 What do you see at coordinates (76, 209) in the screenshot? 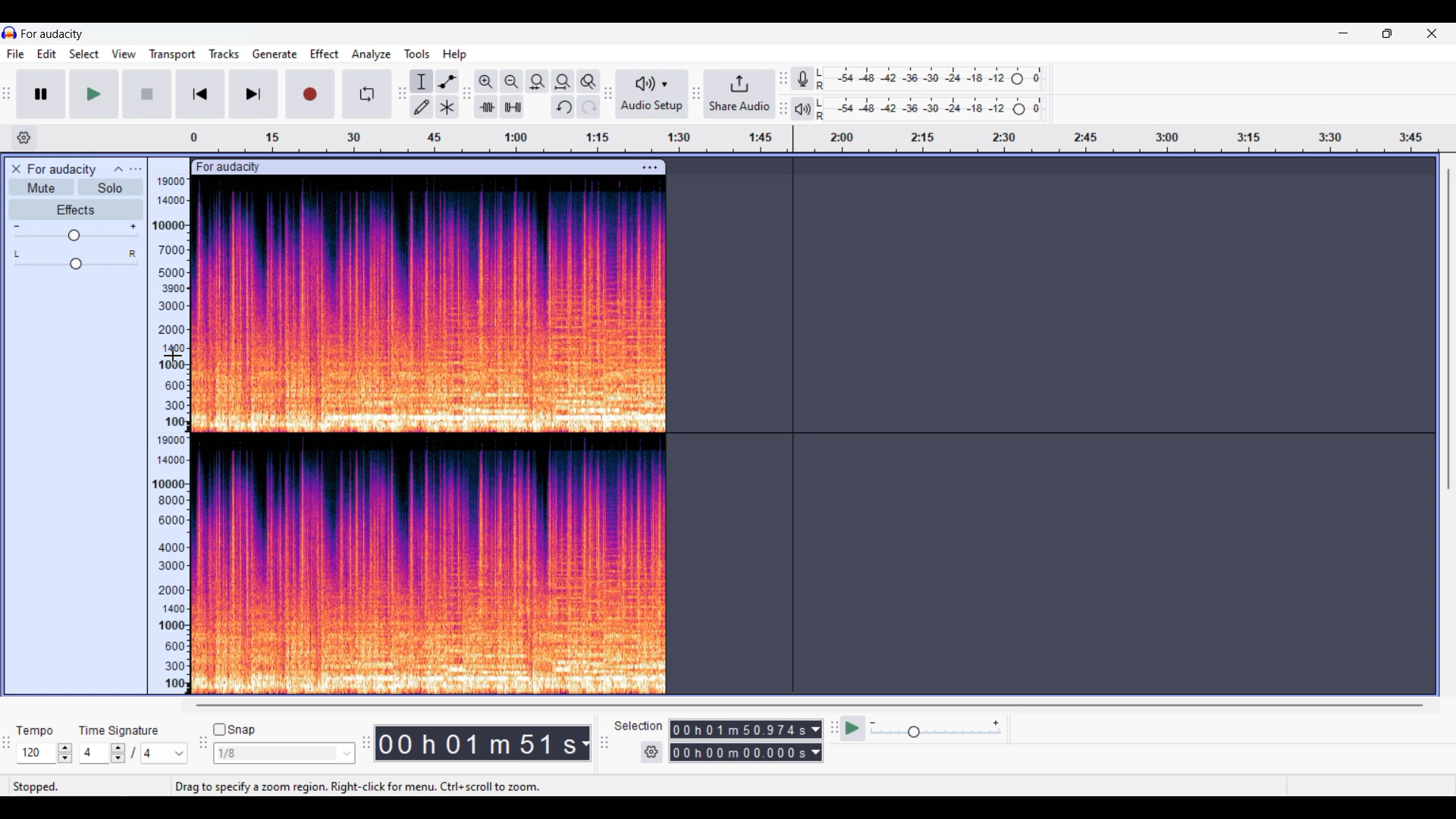
I see `Effects` at bounding box center [76, 209].